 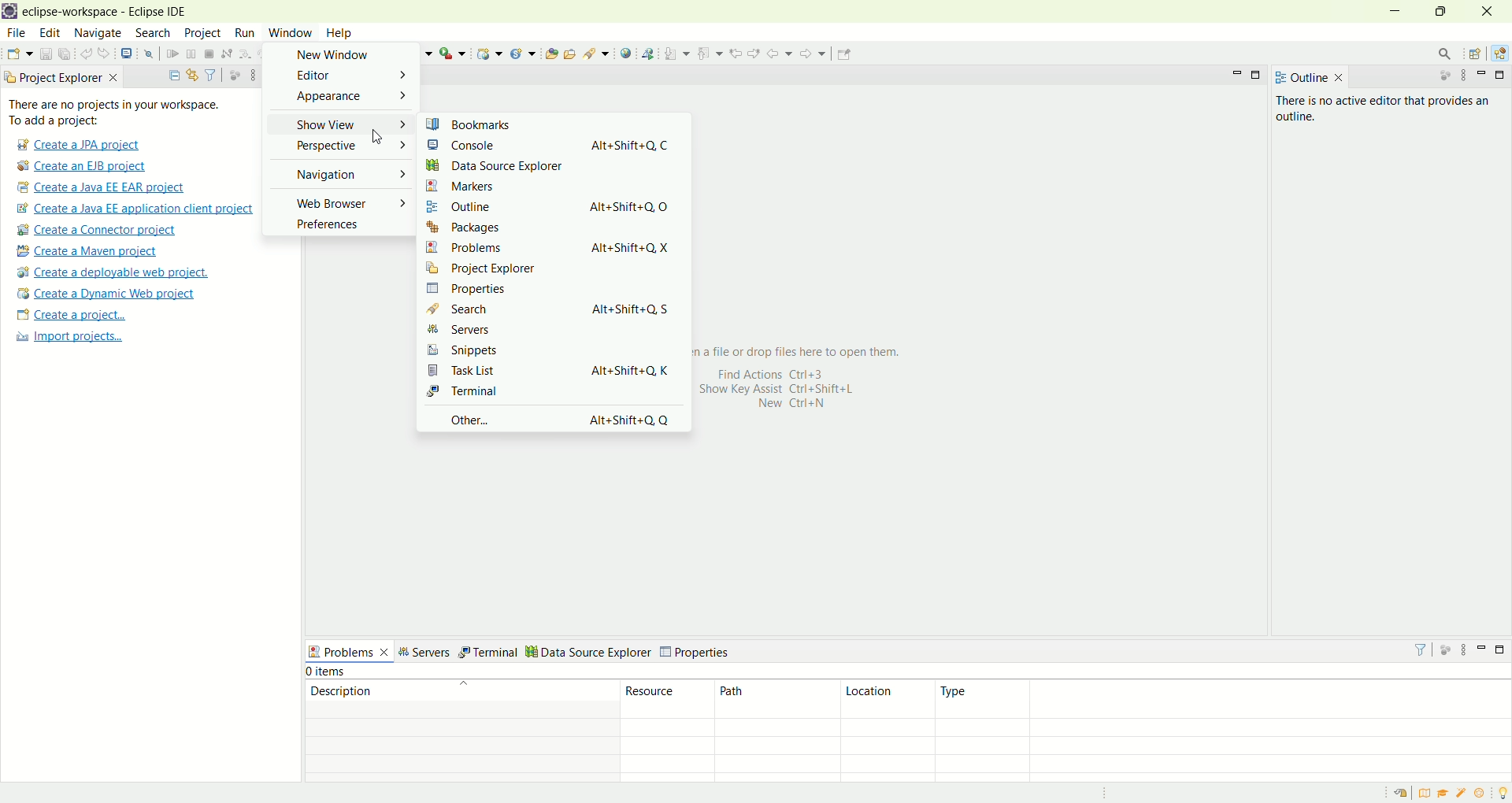 What do you see at coordinates (459, 690) in the screenshot?
I see `description` at bounding box center [459, 690].